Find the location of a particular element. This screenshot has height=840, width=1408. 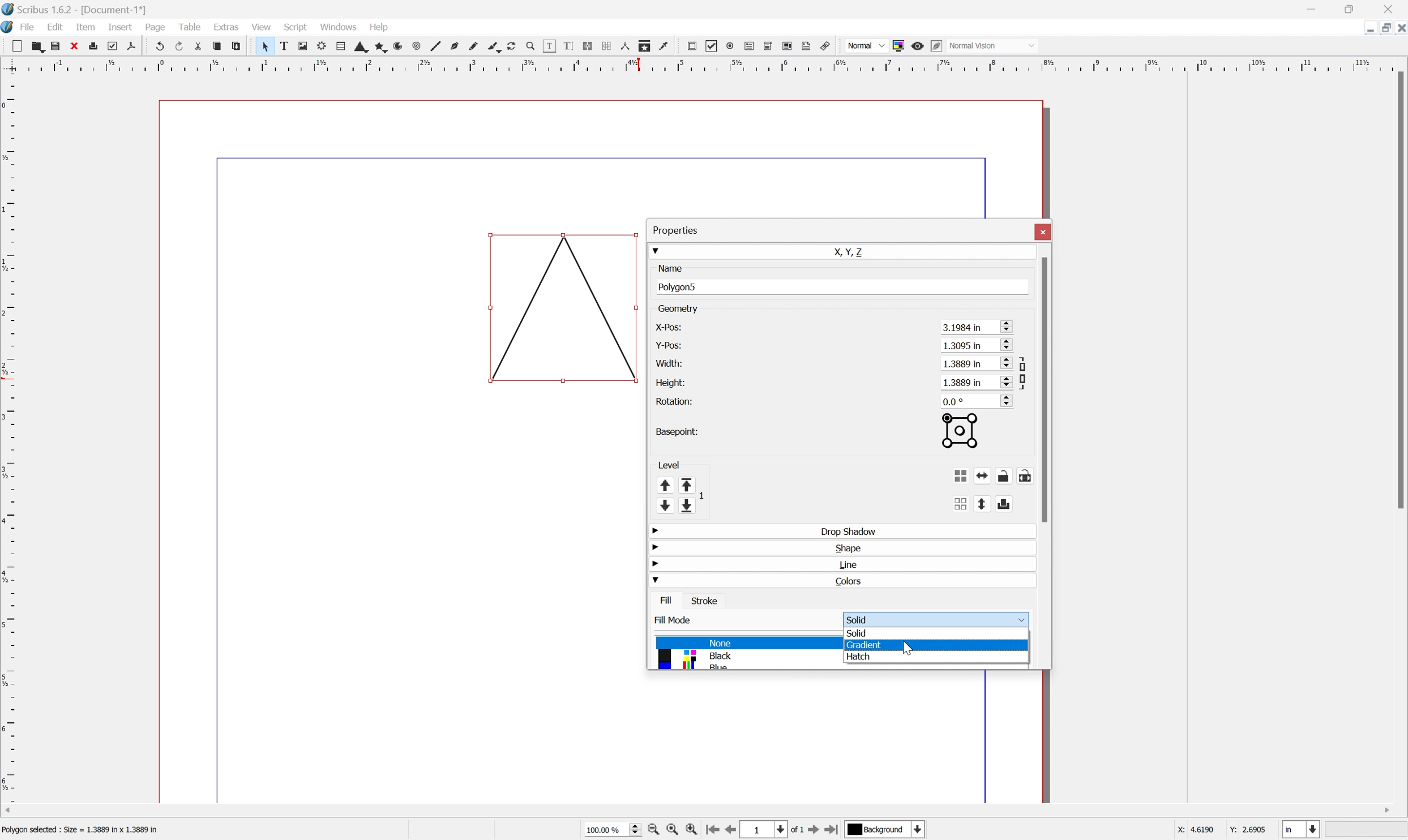

Spiral is located at coordinates (414, 46).